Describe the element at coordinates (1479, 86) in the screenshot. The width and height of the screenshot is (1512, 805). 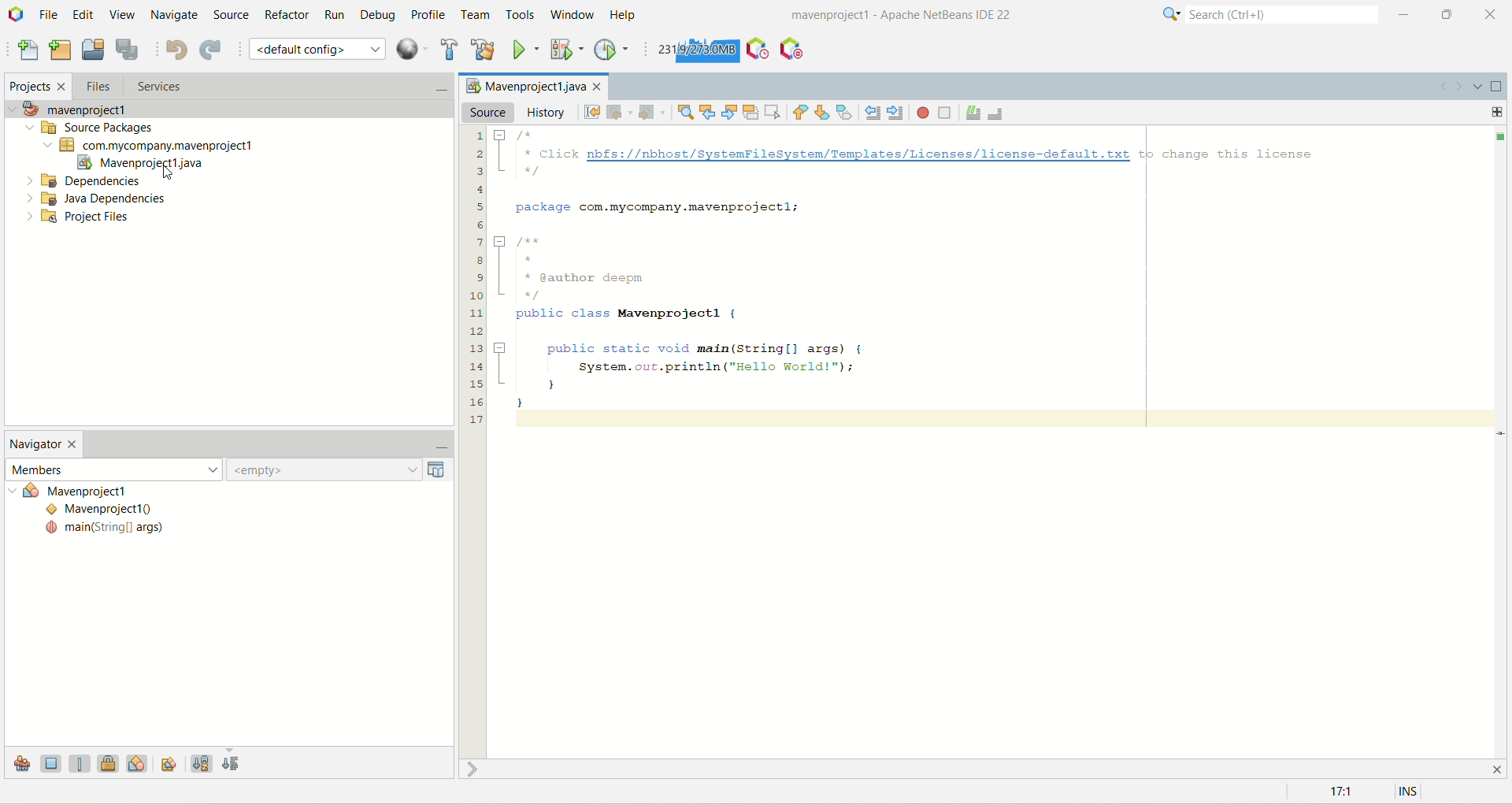
I see `show opened document list` at that location.